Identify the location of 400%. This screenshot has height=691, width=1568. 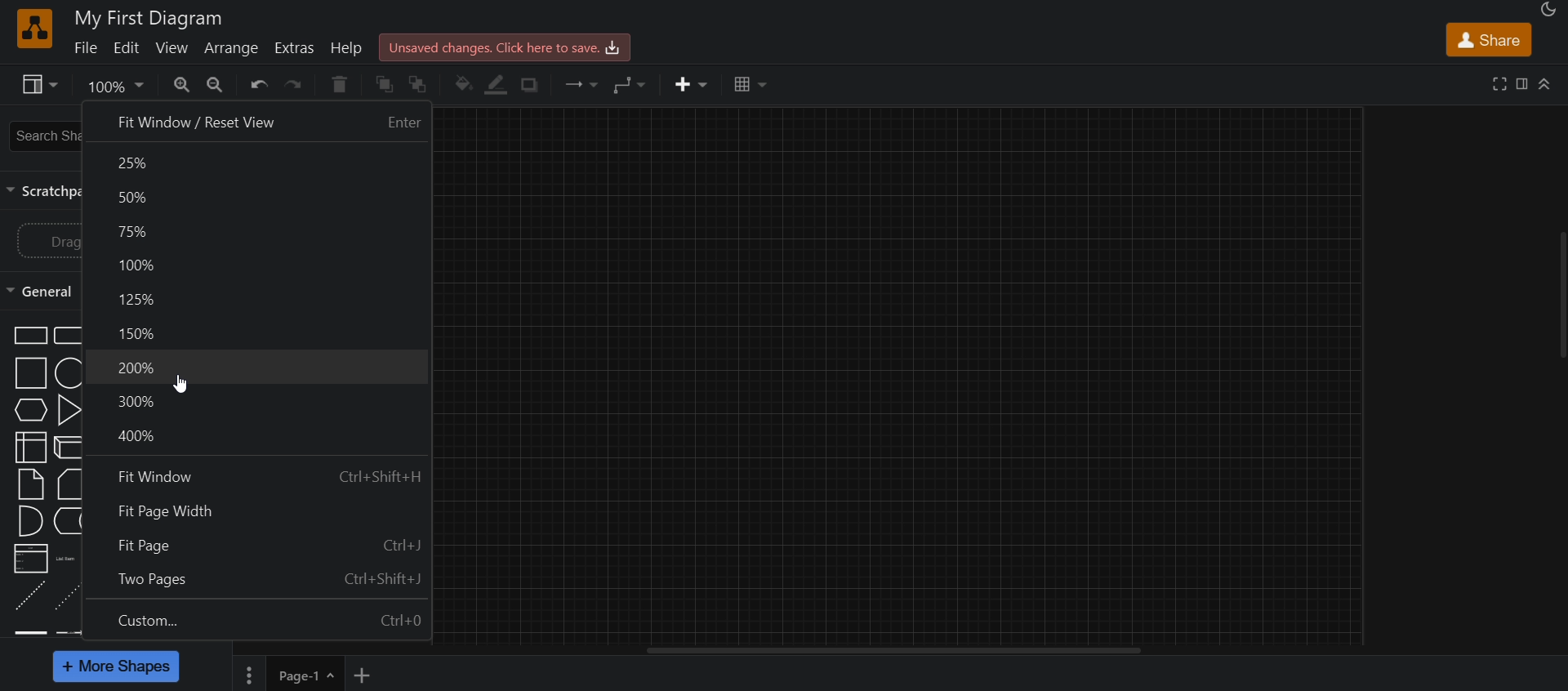
(263, 441).